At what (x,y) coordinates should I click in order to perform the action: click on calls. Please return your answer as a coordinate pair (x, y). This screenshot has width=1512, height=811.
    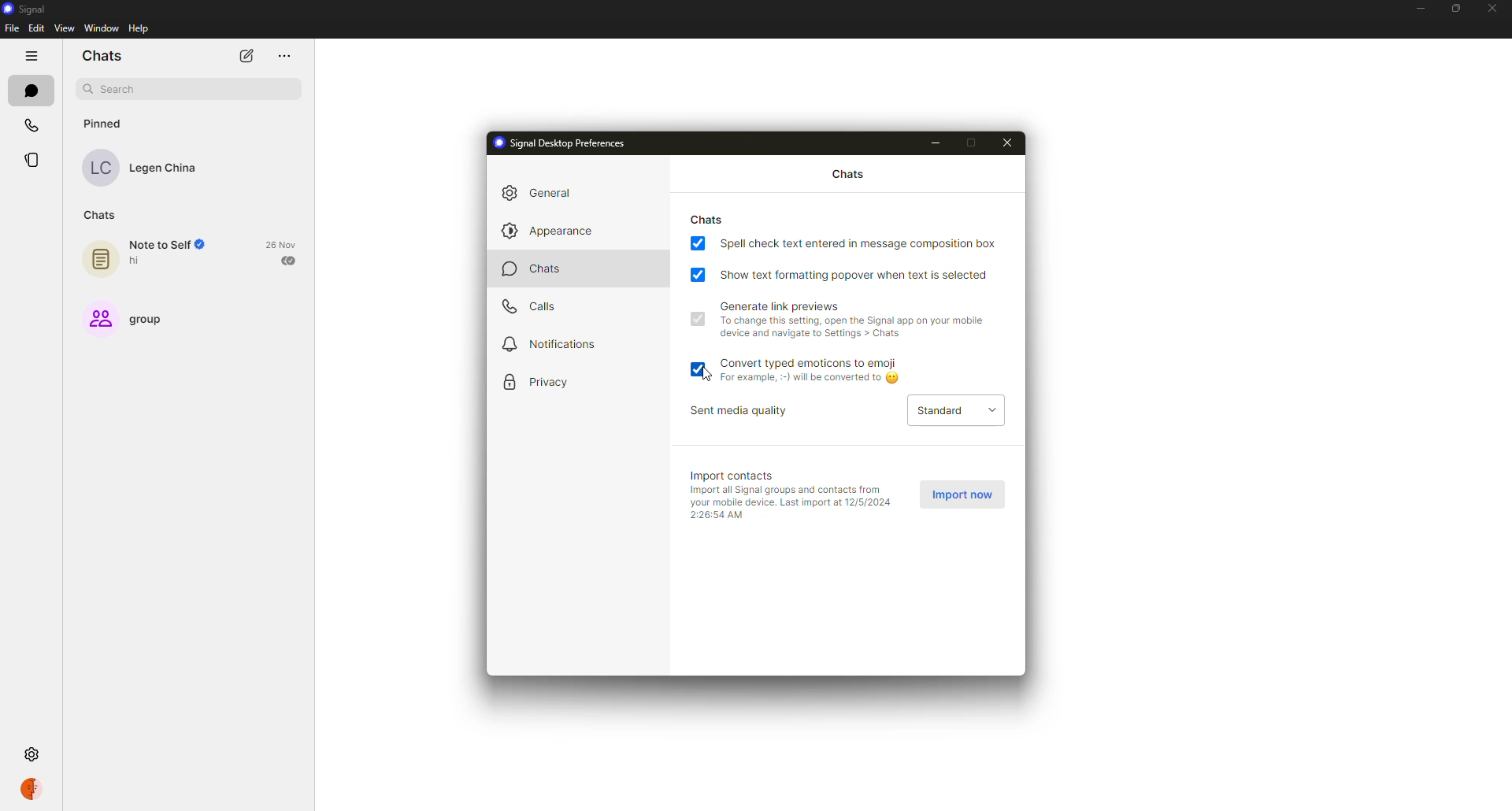
    Looking at the image, I should click on (29, 127).